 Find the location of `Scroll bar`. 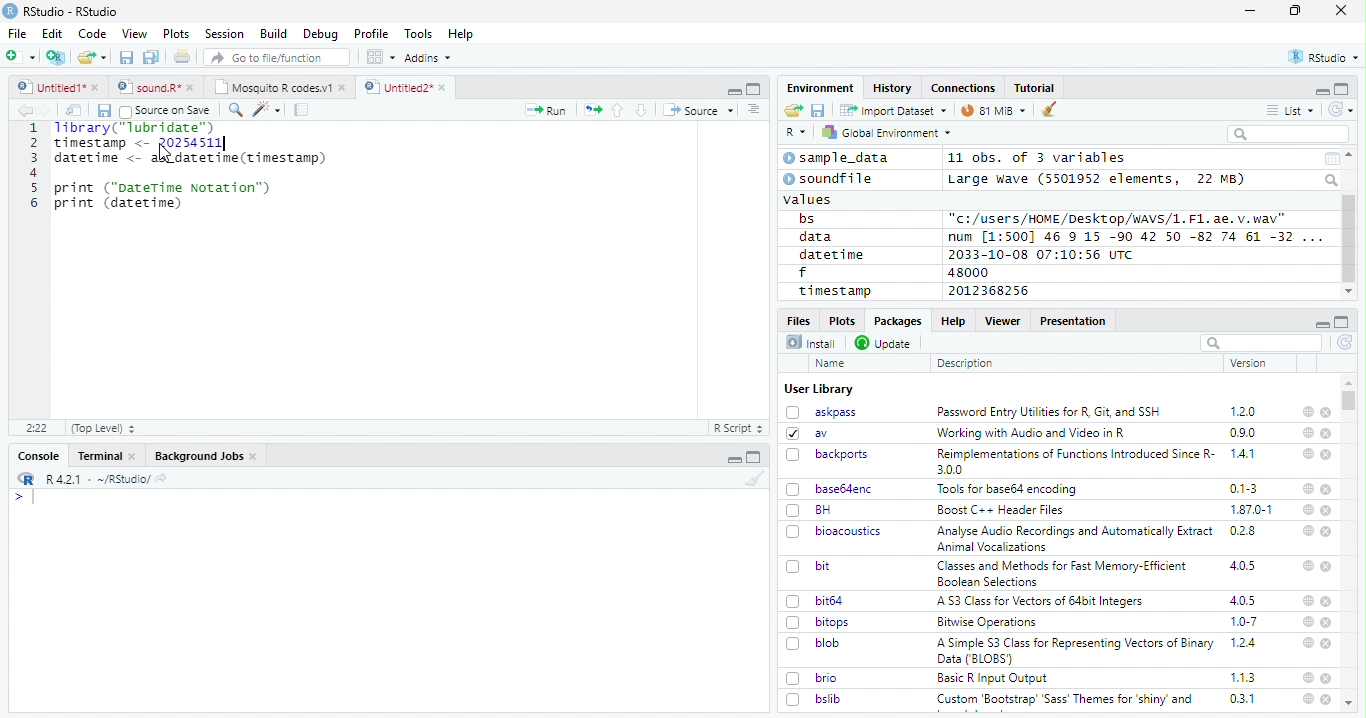

Scroll bar is located at coordinates (1350, 239).